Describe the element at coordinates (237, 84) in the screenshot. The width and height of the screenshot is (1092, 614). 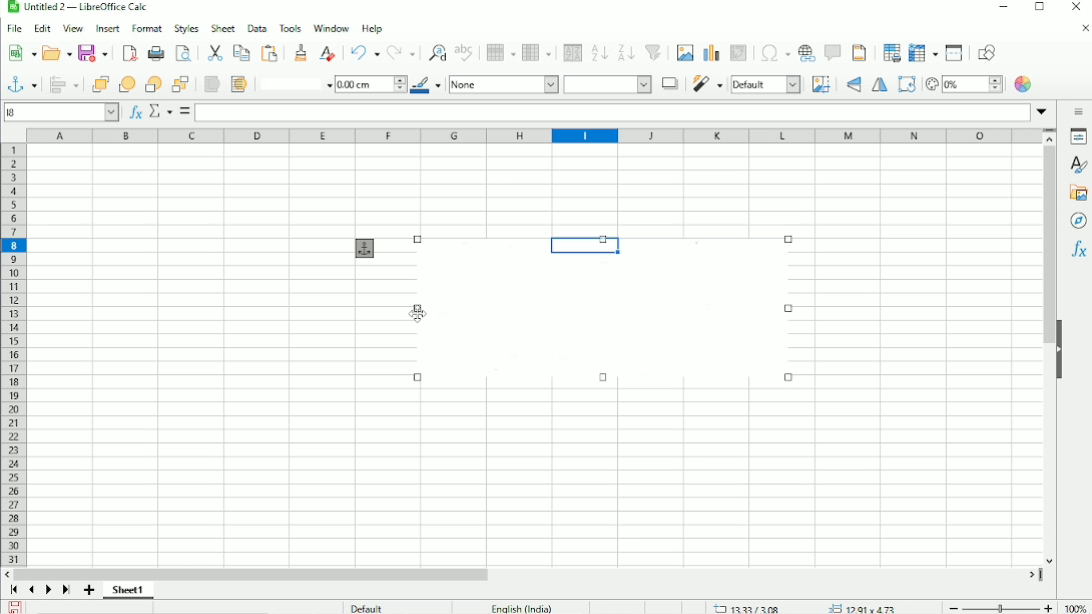
I see `To background` at that location.